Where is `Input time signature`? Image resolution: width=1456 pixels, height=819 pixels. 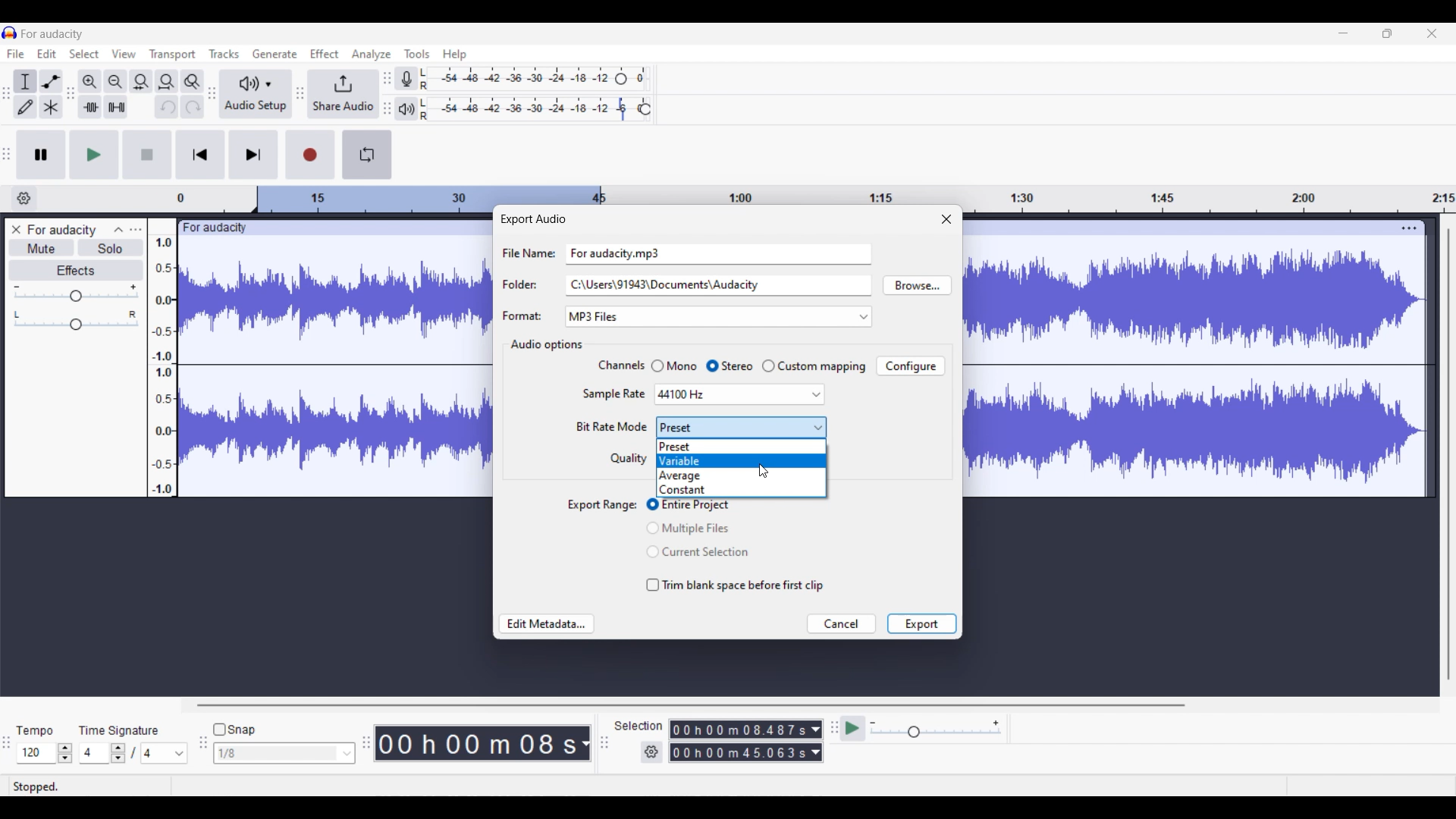 Input time signature is located at coordinates (93, 753).